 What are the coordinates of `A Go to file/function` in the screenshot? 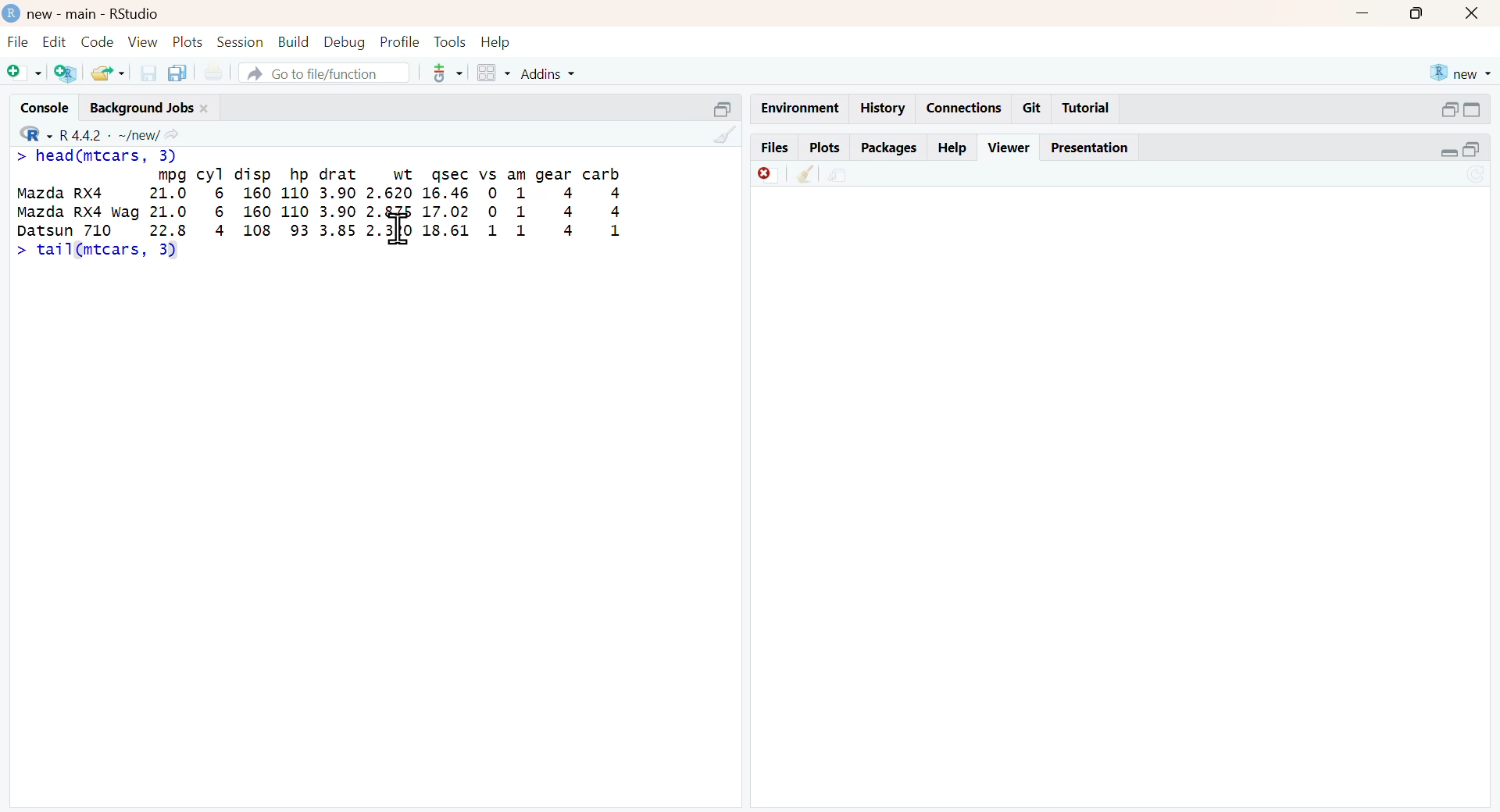 It's located at (323, 73).